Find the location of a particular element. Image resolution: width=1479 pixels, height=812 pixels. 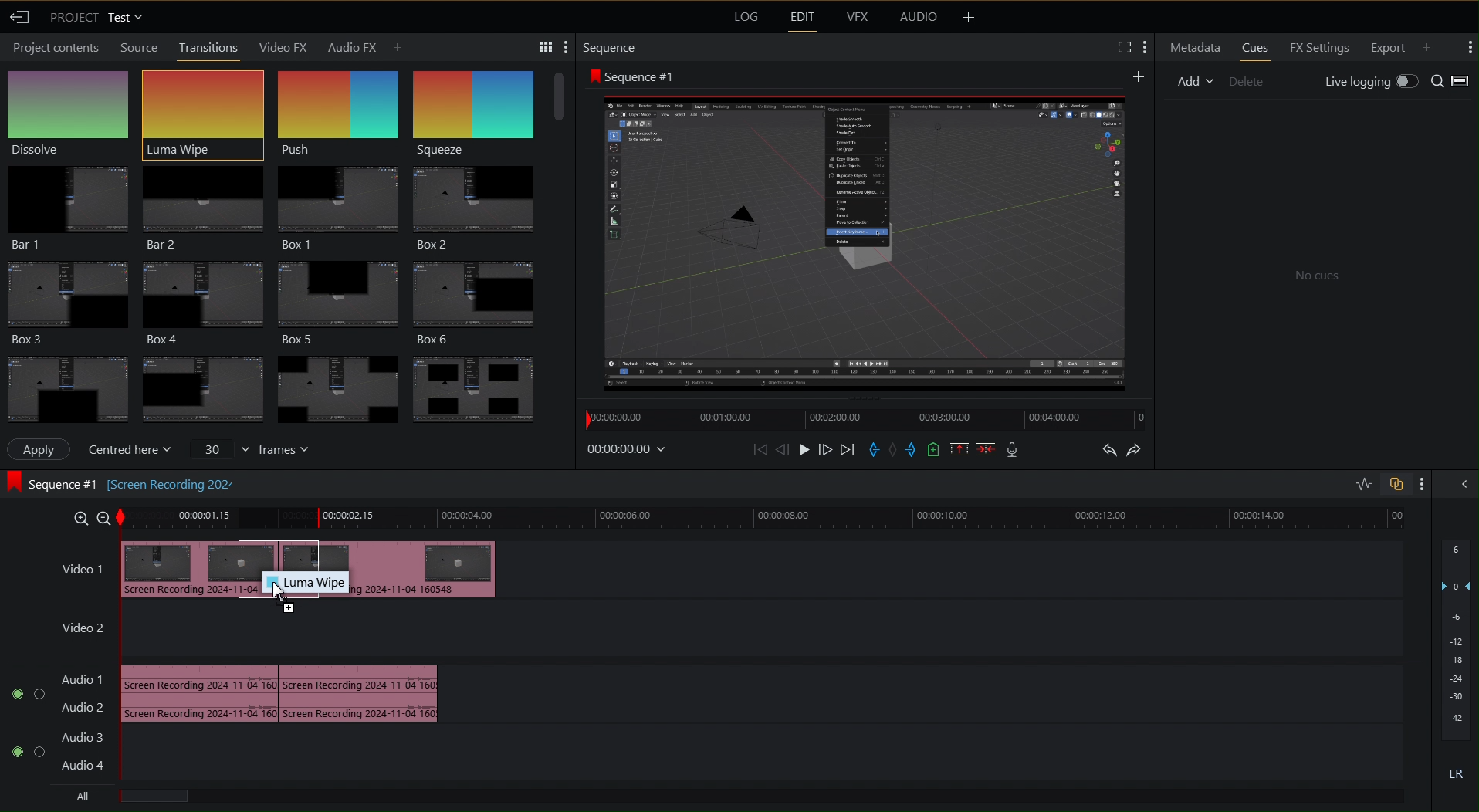

Apply is located at coordinates (43, 449).